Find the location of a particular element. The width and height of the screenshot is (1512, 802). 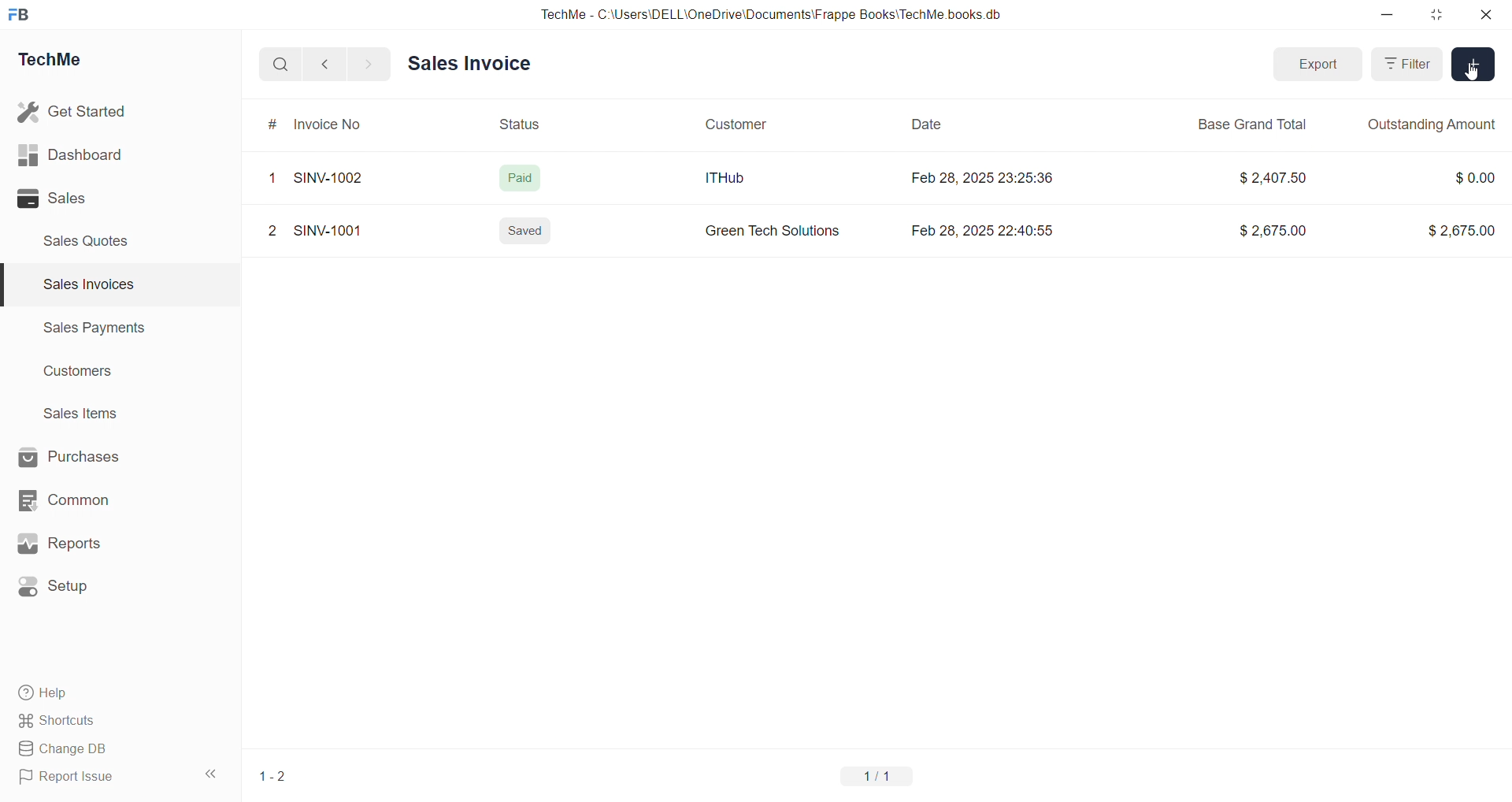

$2,675.00 is located at coordinates (1269, 232).